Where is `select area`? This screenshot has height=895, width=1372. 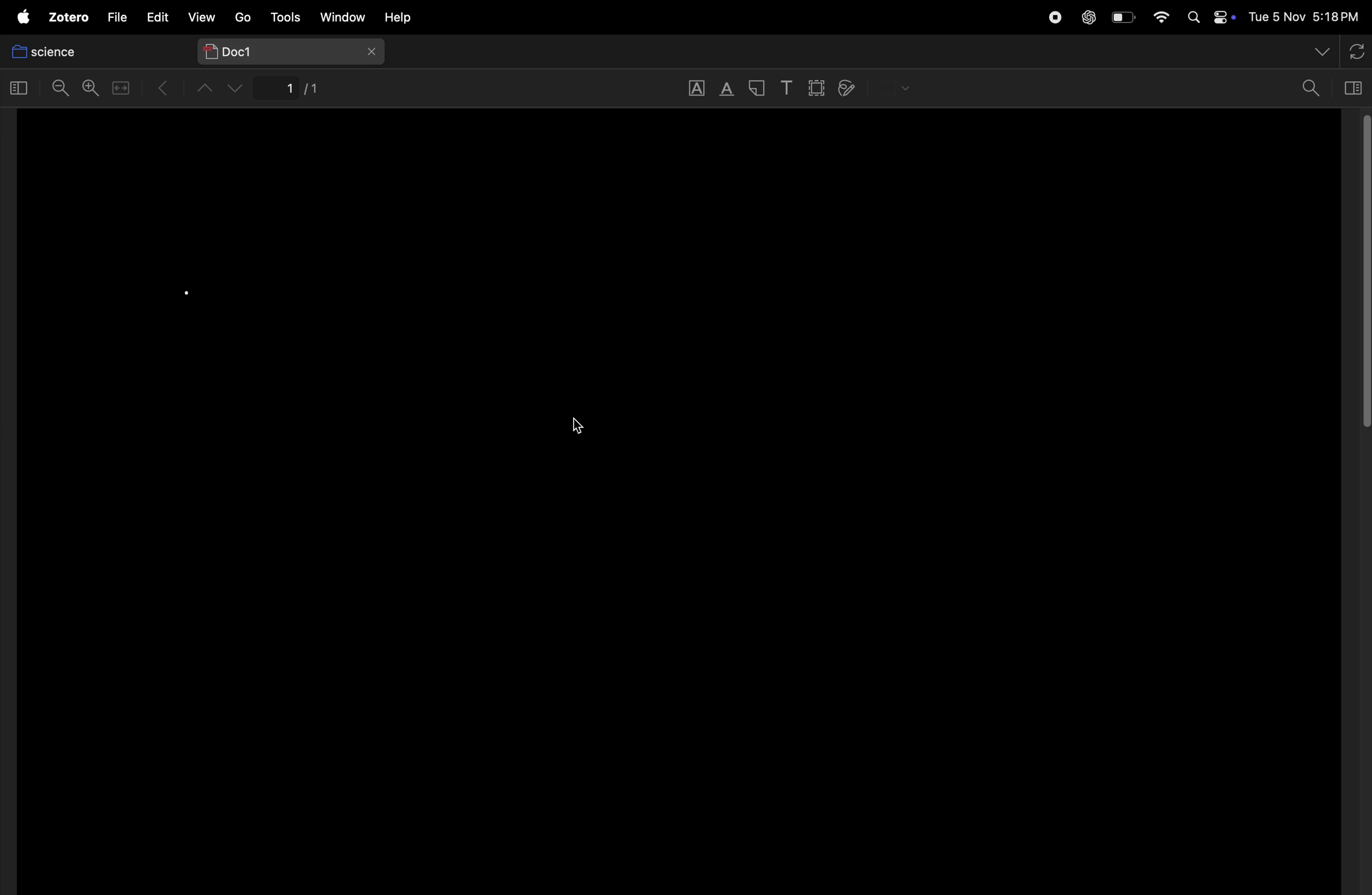
select area is located at coordinates (816, 88).